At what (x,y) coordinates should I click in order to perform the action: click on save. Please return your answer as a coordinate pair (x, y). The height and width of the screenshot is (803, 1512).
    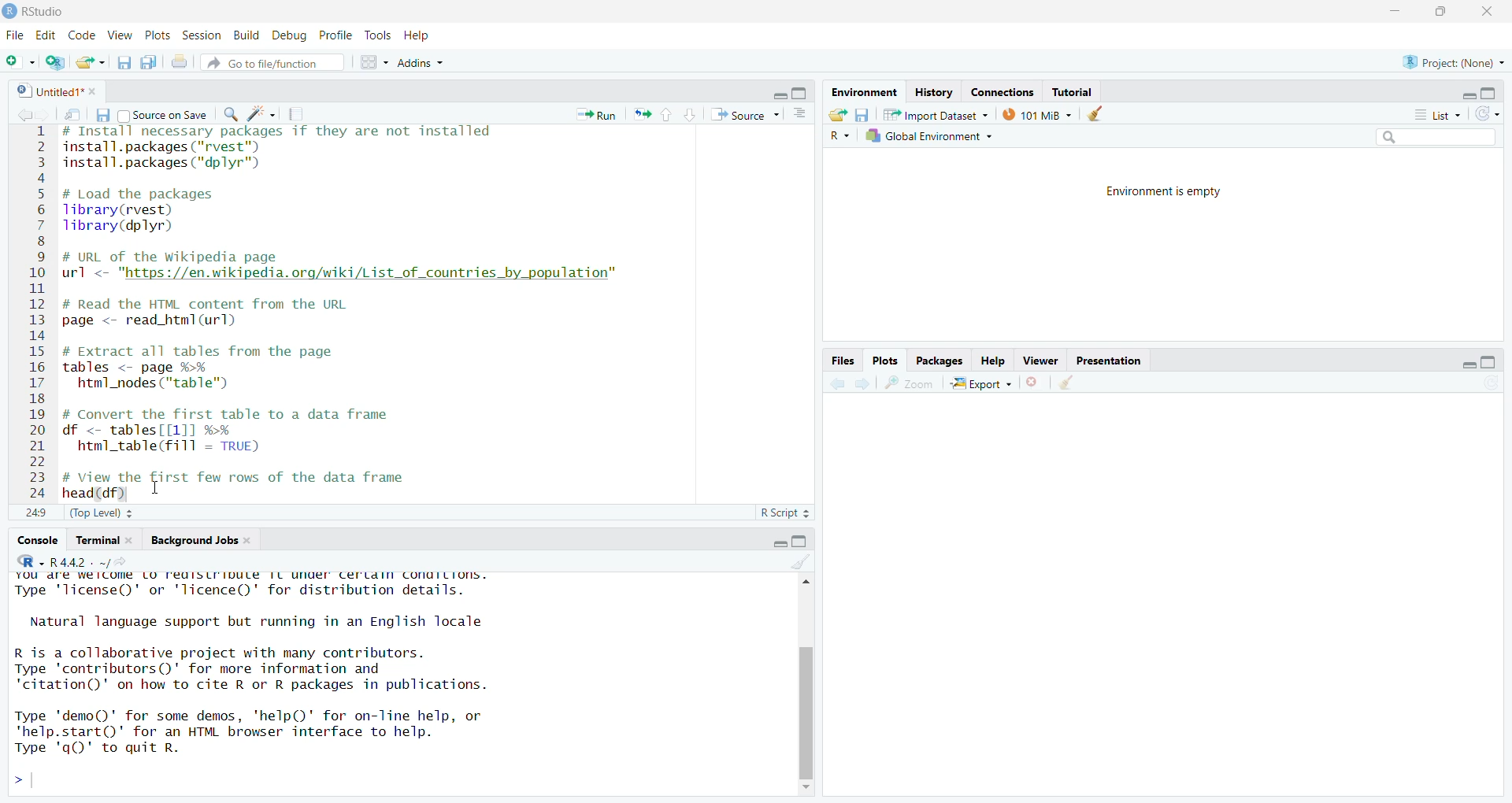
    Looking at the image, I should click on (124, 62).